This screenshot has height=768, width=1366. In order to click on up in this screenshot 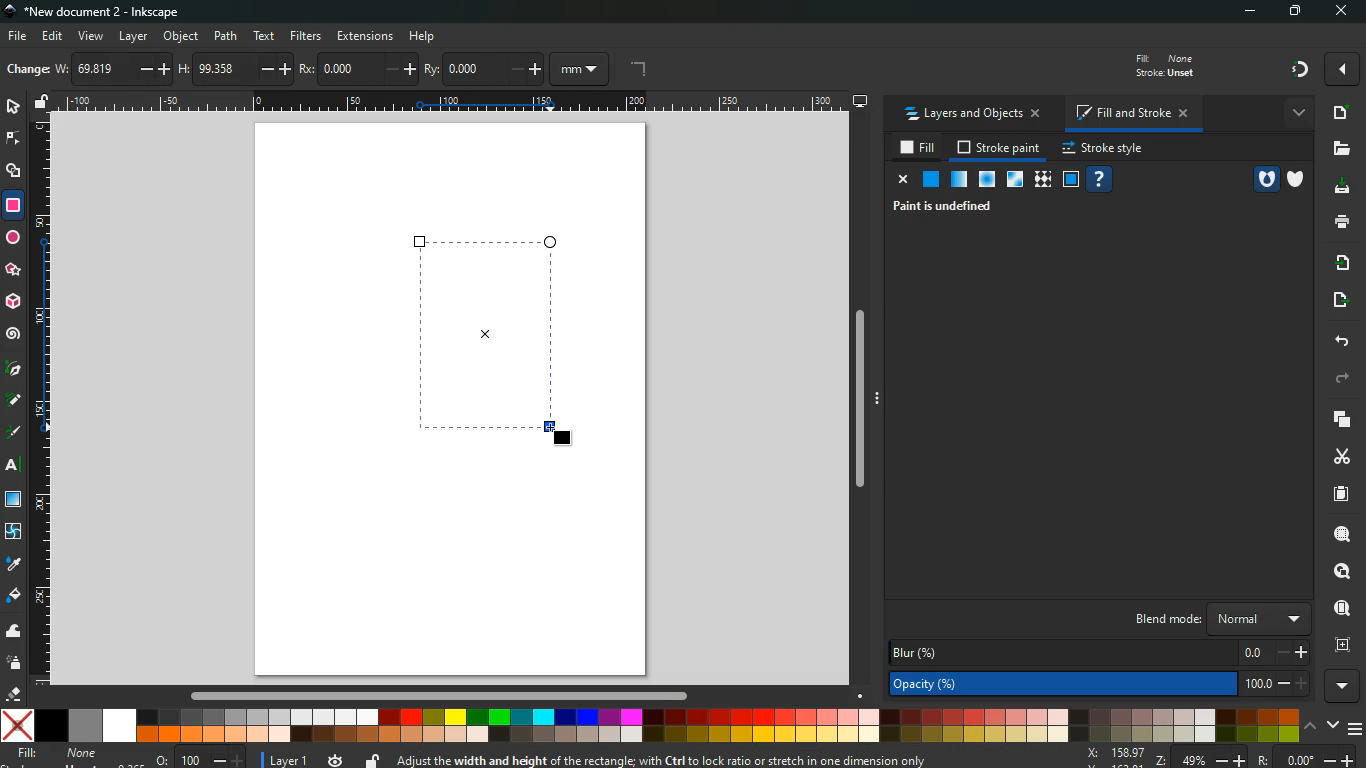, I will do `click(1311, 727)`.